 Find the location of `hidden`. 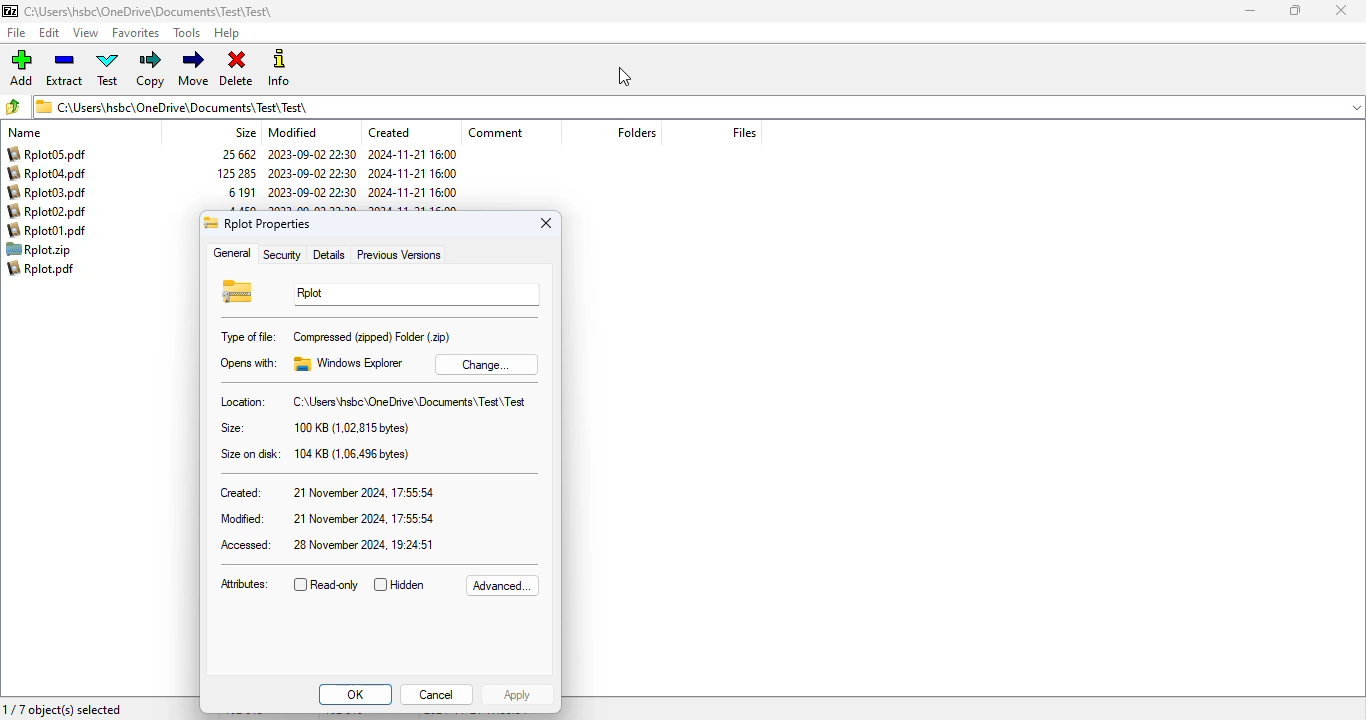

hidden is located at coordinates (400, 585).